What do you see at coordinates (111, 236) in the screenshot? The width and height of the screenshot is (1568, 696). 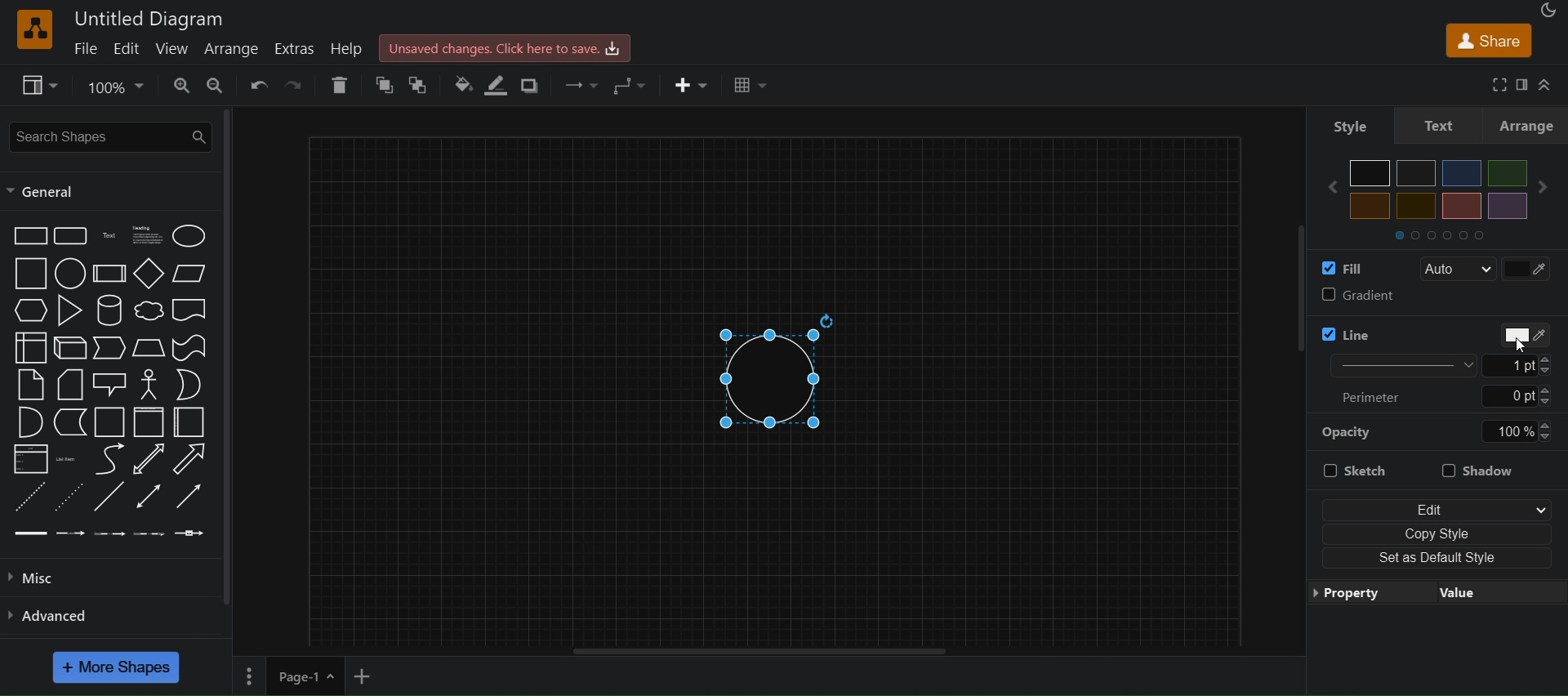 I see `text` at bounding box center [111, 236].